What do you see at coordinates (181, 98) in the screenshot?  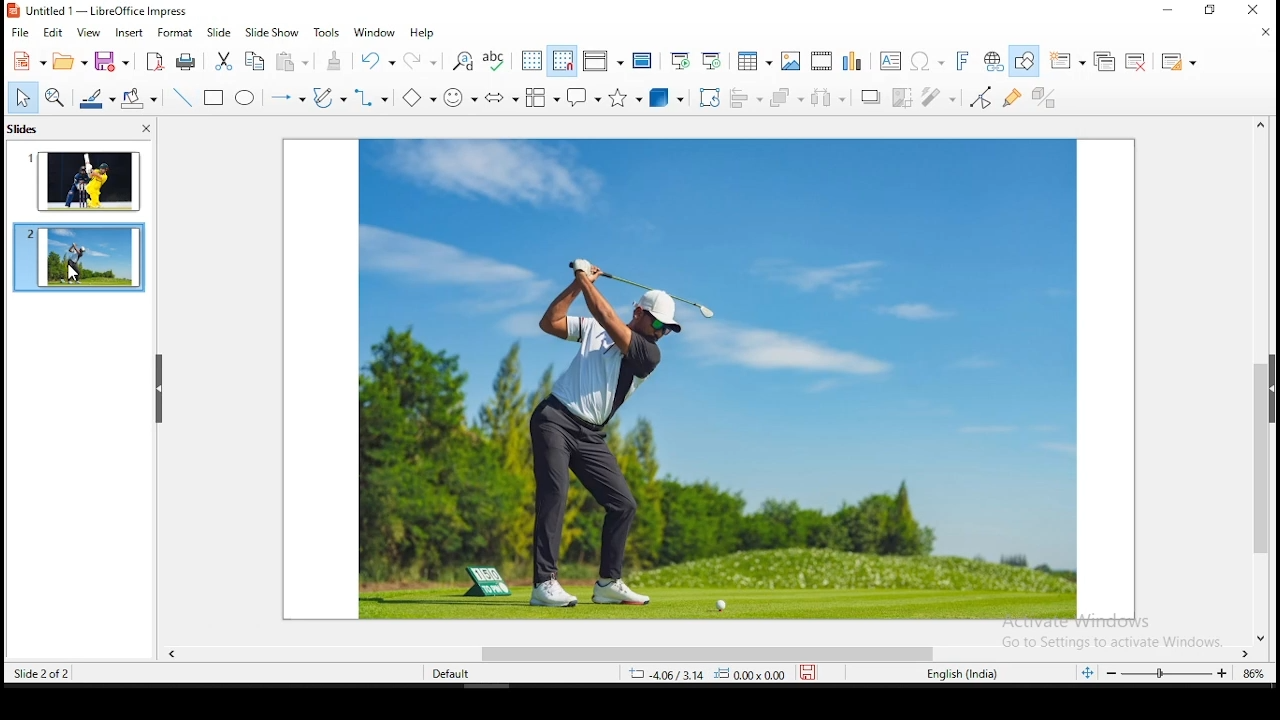 I see `line` at bounding box center [181, 98].